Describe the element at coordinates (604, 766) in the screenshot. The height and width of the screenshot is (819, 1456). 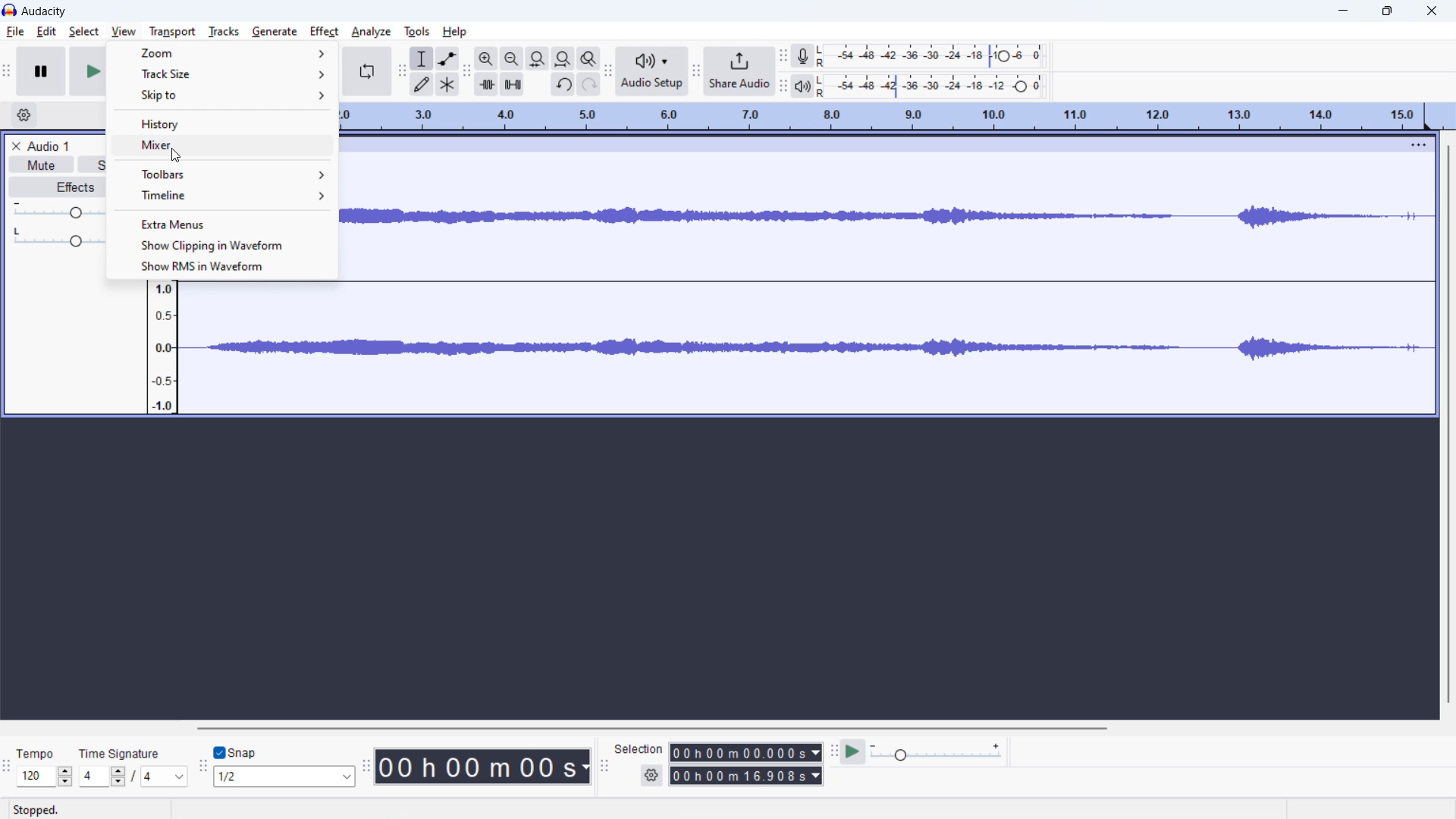
I see `selection toolbar` at that location.